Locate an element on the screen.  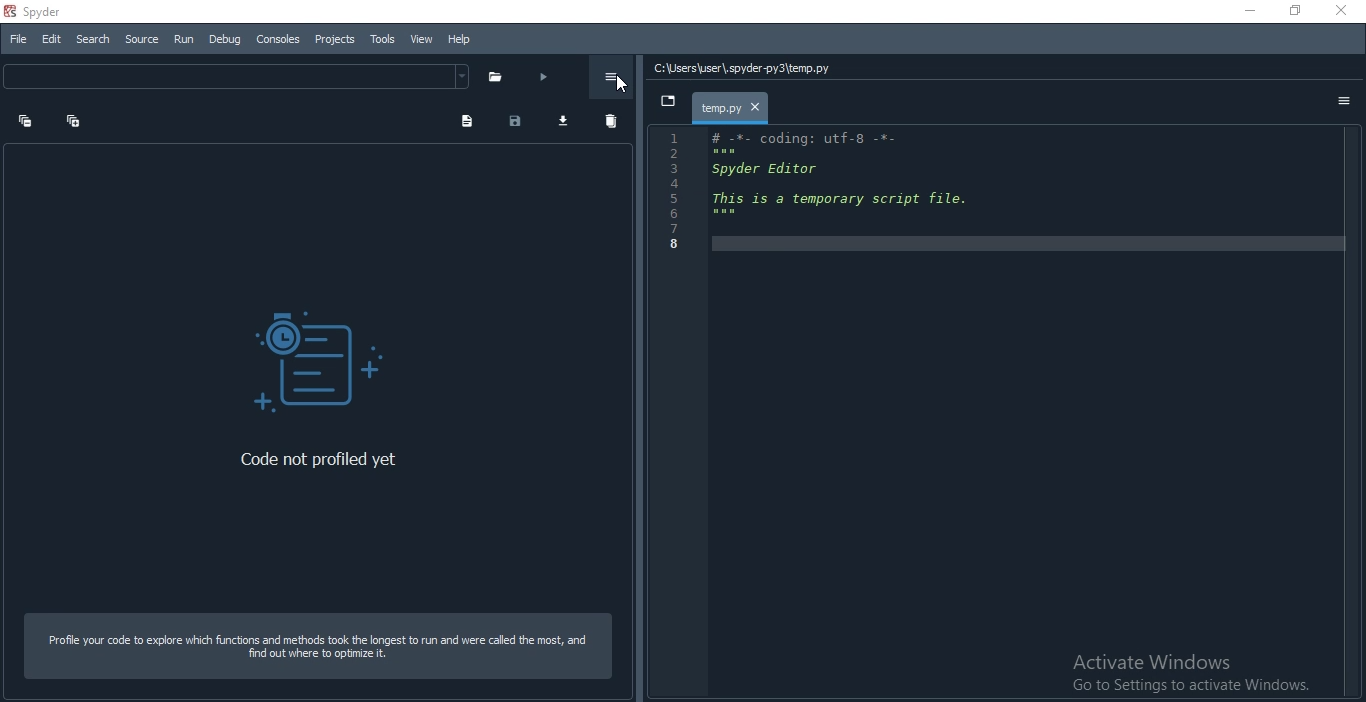
serial numbers (1-8) is located at coordinates (674, 194).